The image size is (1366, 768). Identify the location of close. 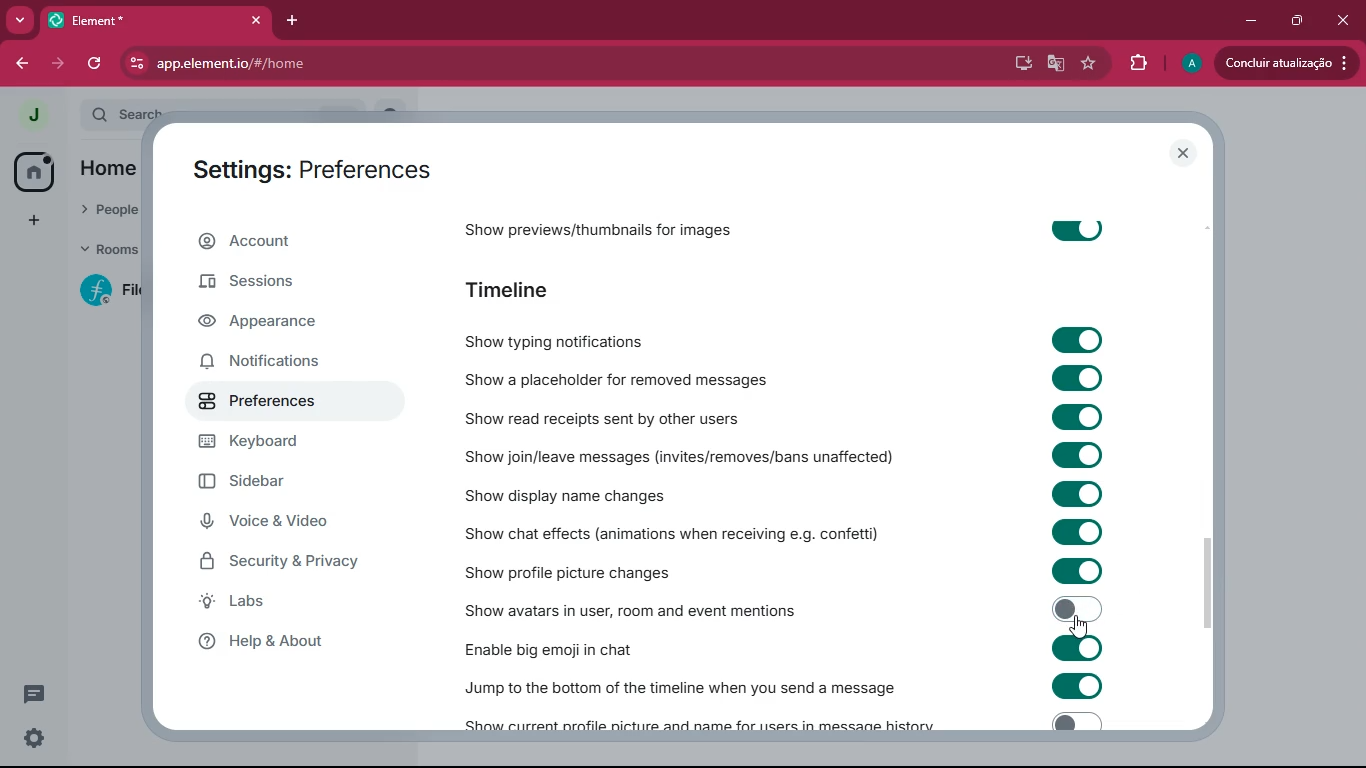
(251, 20).